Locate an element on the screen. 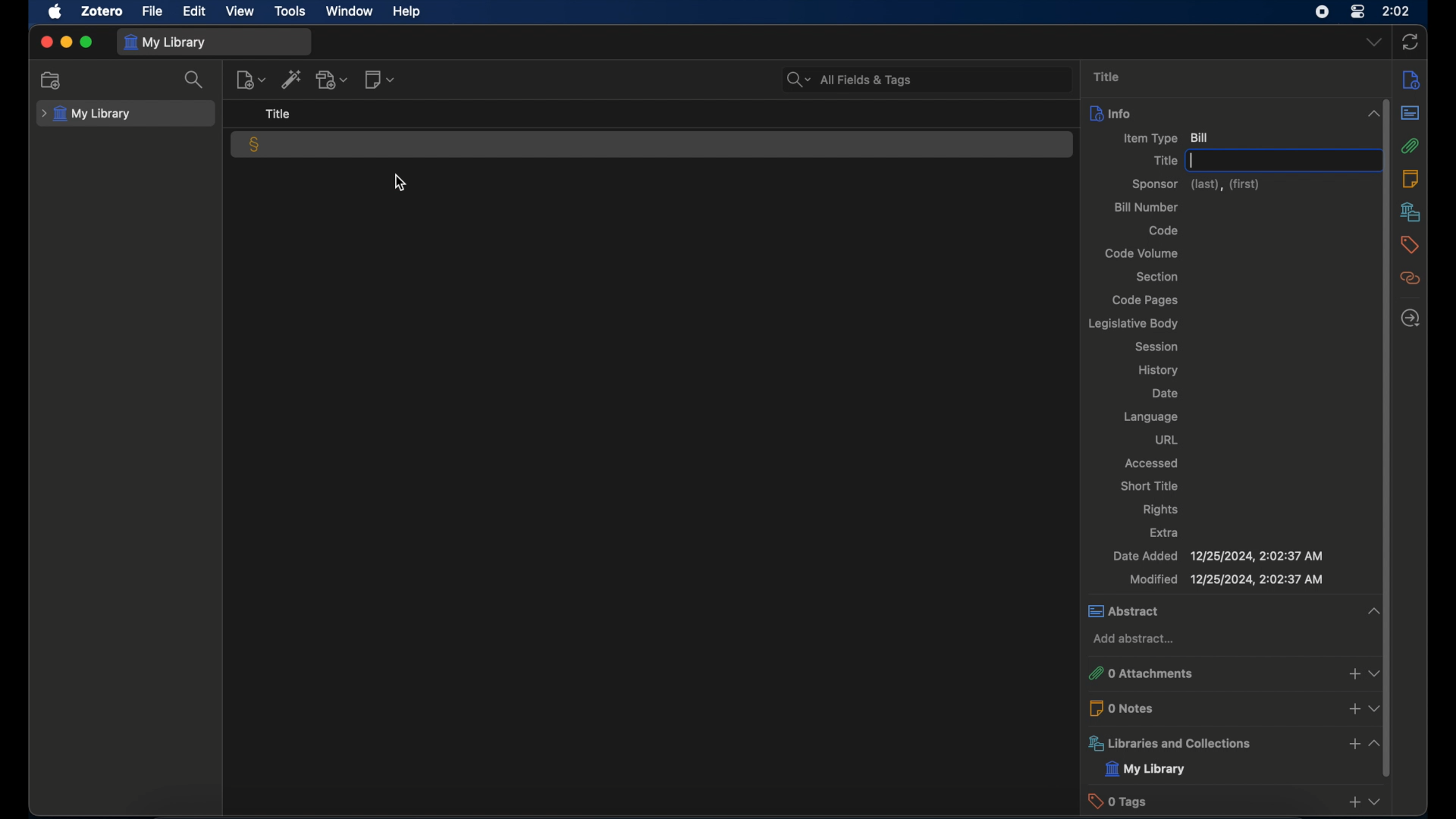 The image size is (1456, 819). libraries is located at coordinates (1234, 743).